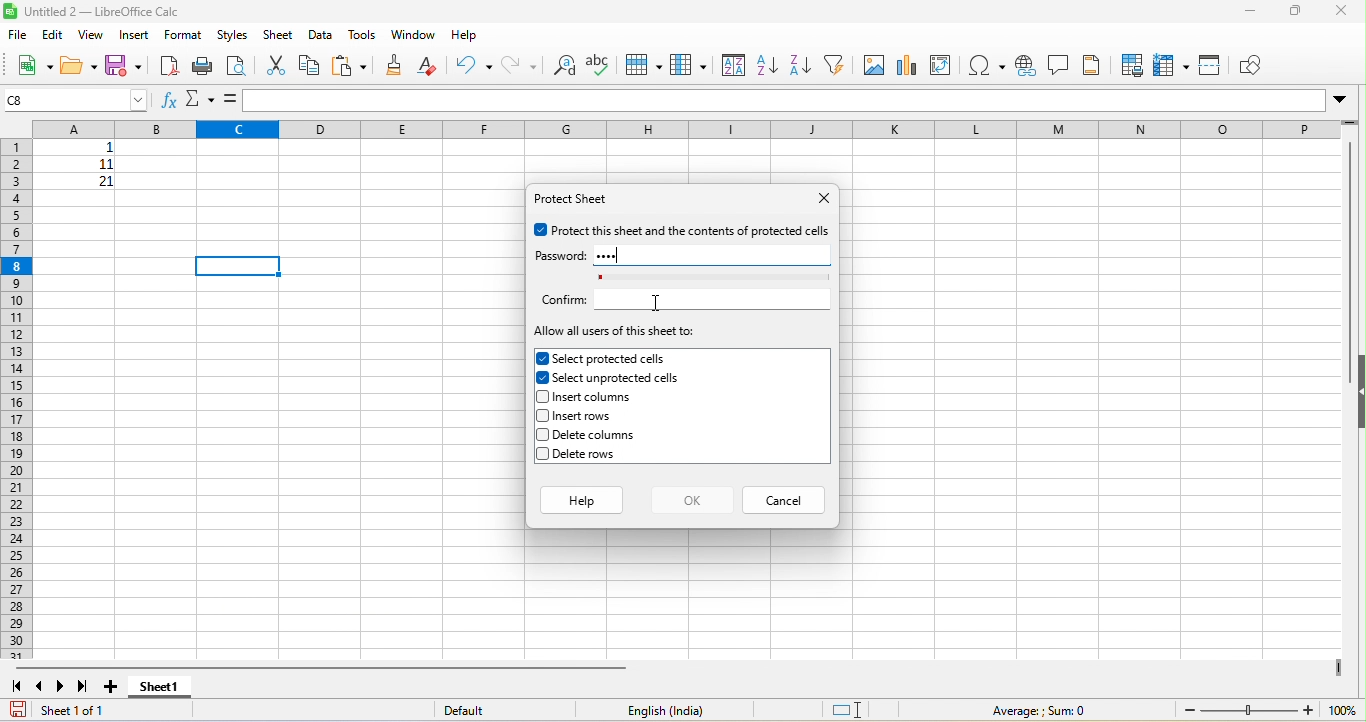  I want to click on selected protected cells, so click(610, 358).